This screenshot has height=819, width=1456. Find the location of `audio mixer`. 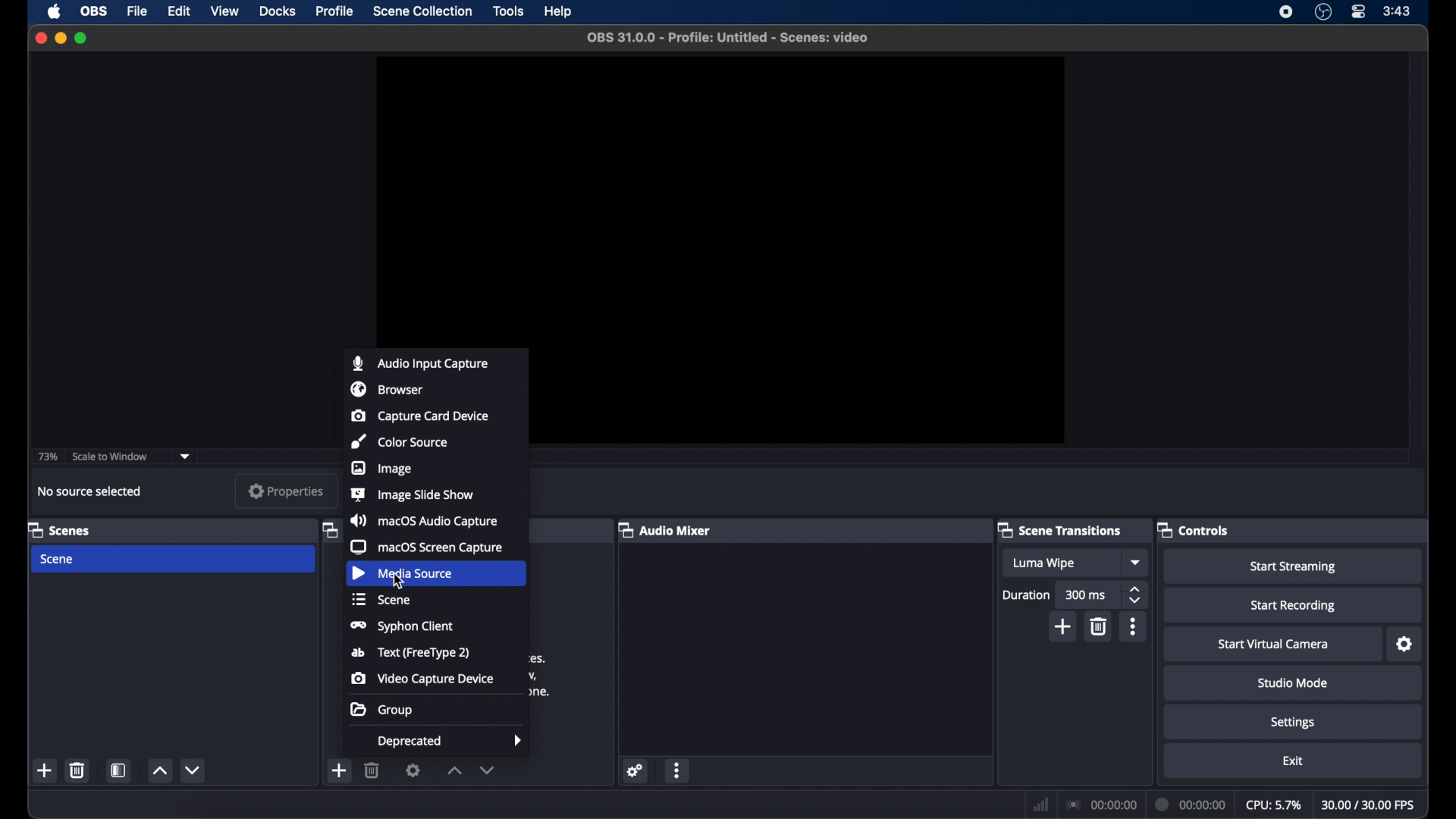

audio mixer is located at coordinates (666, 529).